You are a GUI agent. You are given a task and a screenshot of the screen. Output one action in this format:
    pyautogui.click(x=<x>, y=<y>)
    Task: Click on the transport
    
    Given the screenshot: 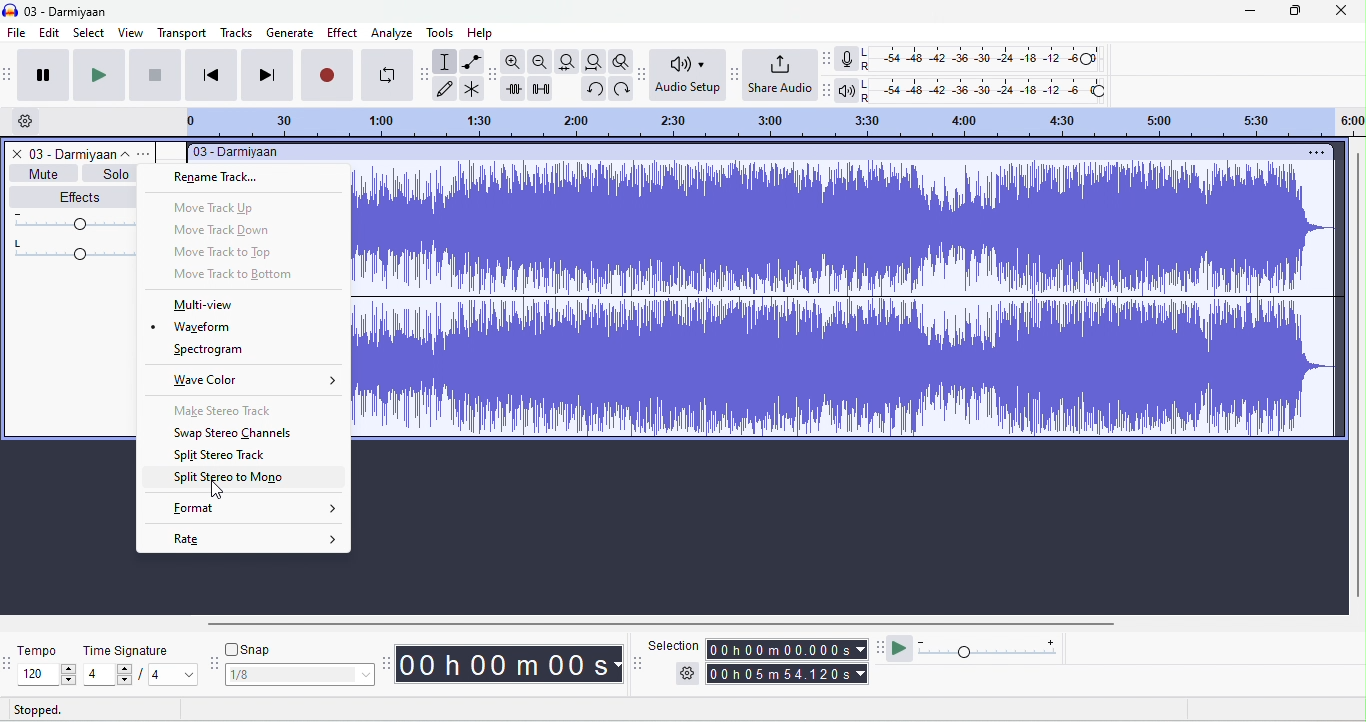 What is the action you would take?
    pyautogui.click(x=182, y=32)
    